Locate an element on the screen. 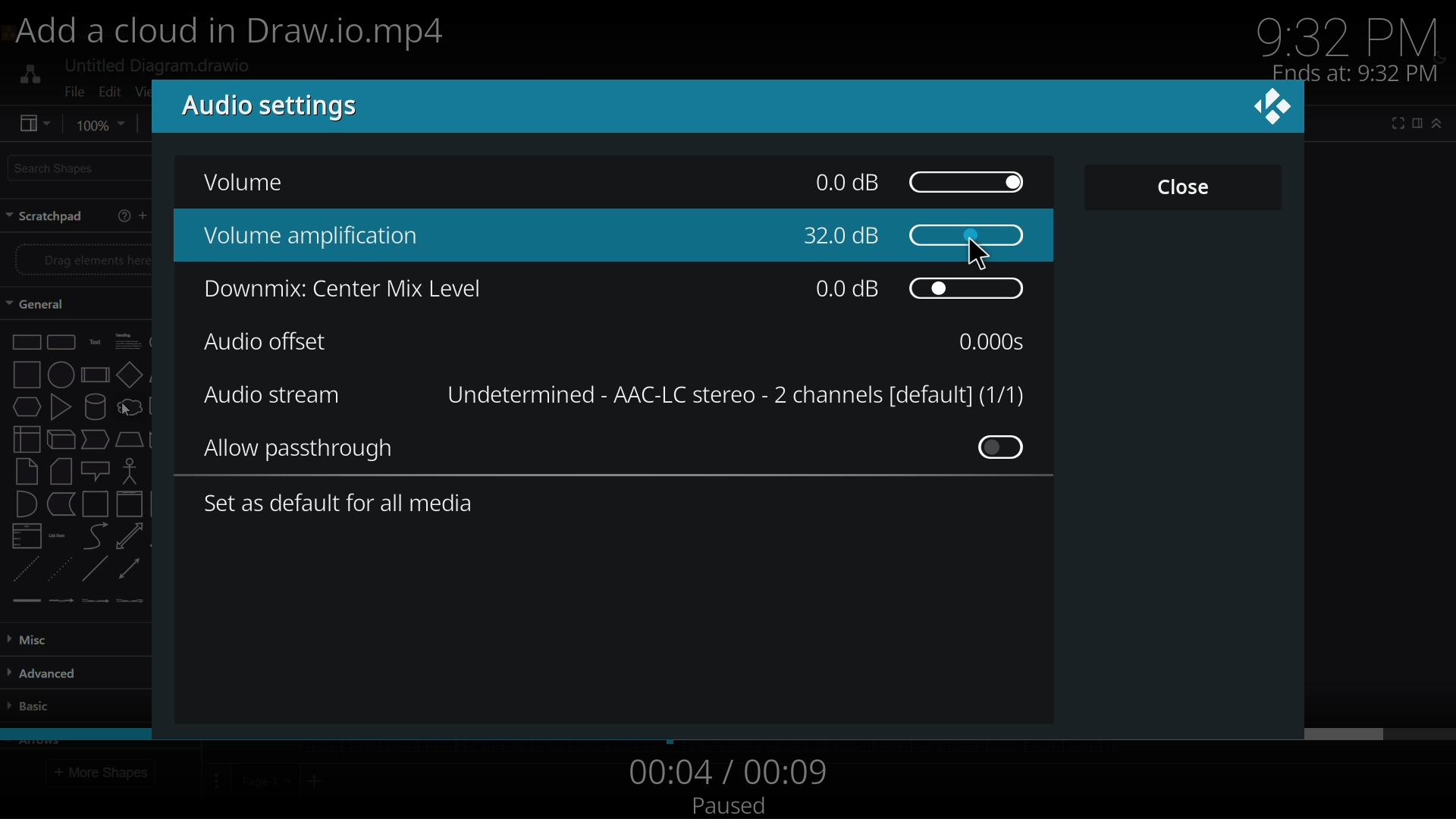 Image resolution: width=1456 pixels, height=819 pixels. cursor is located at coordinates (984, 252).